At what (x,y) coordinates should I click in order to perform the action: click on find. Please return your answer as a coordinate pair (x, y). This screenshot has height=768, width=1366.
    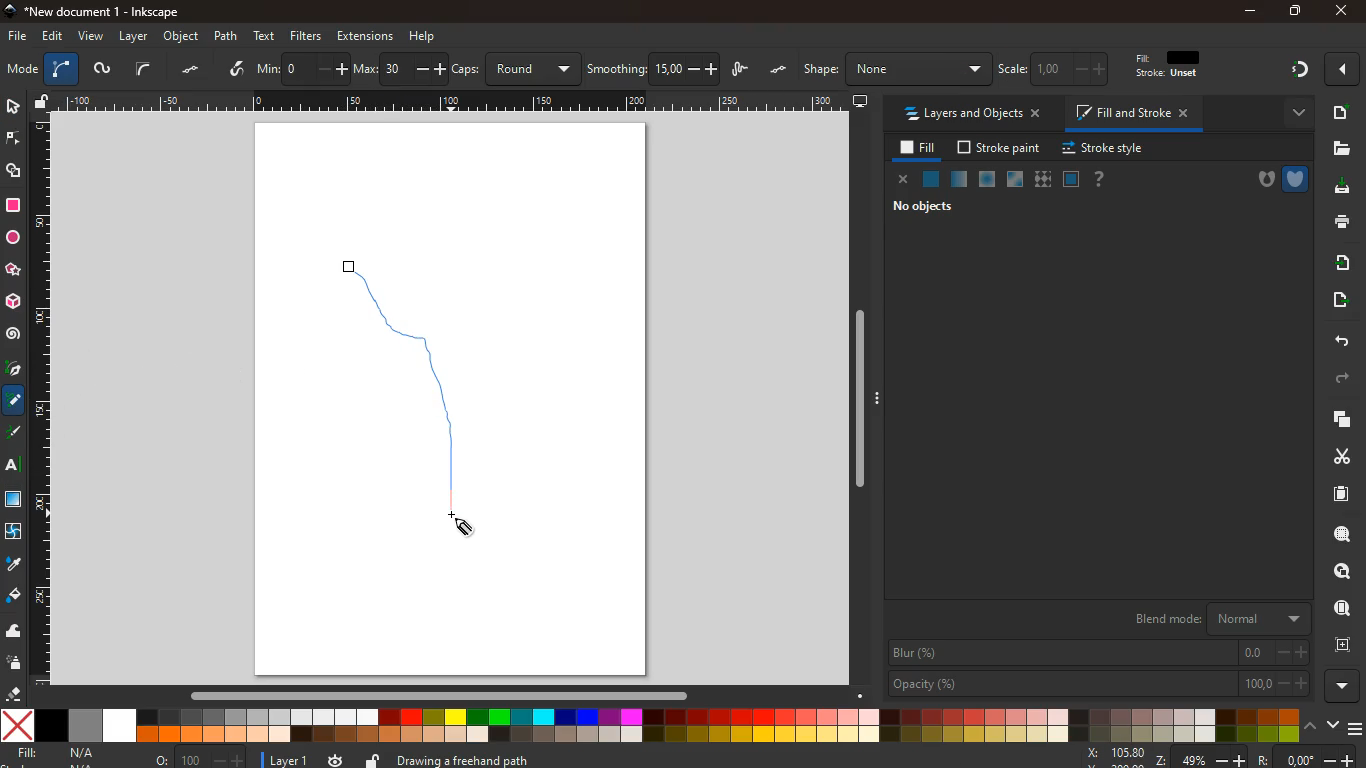
    Looking at the image, I should click on (1335, 572).